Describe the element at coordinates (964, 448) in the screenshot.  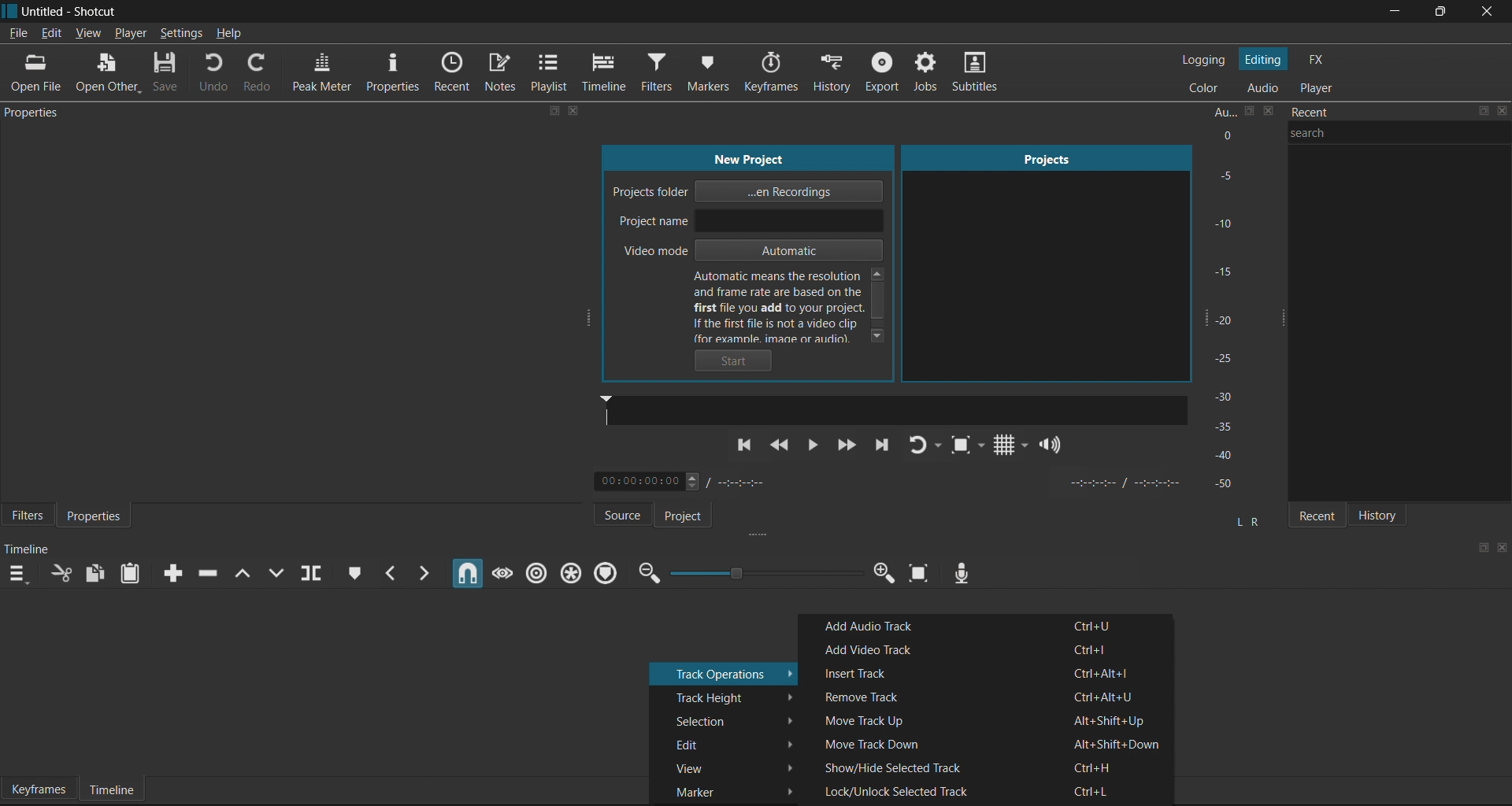
I see `Toggle Zoom` at that location.